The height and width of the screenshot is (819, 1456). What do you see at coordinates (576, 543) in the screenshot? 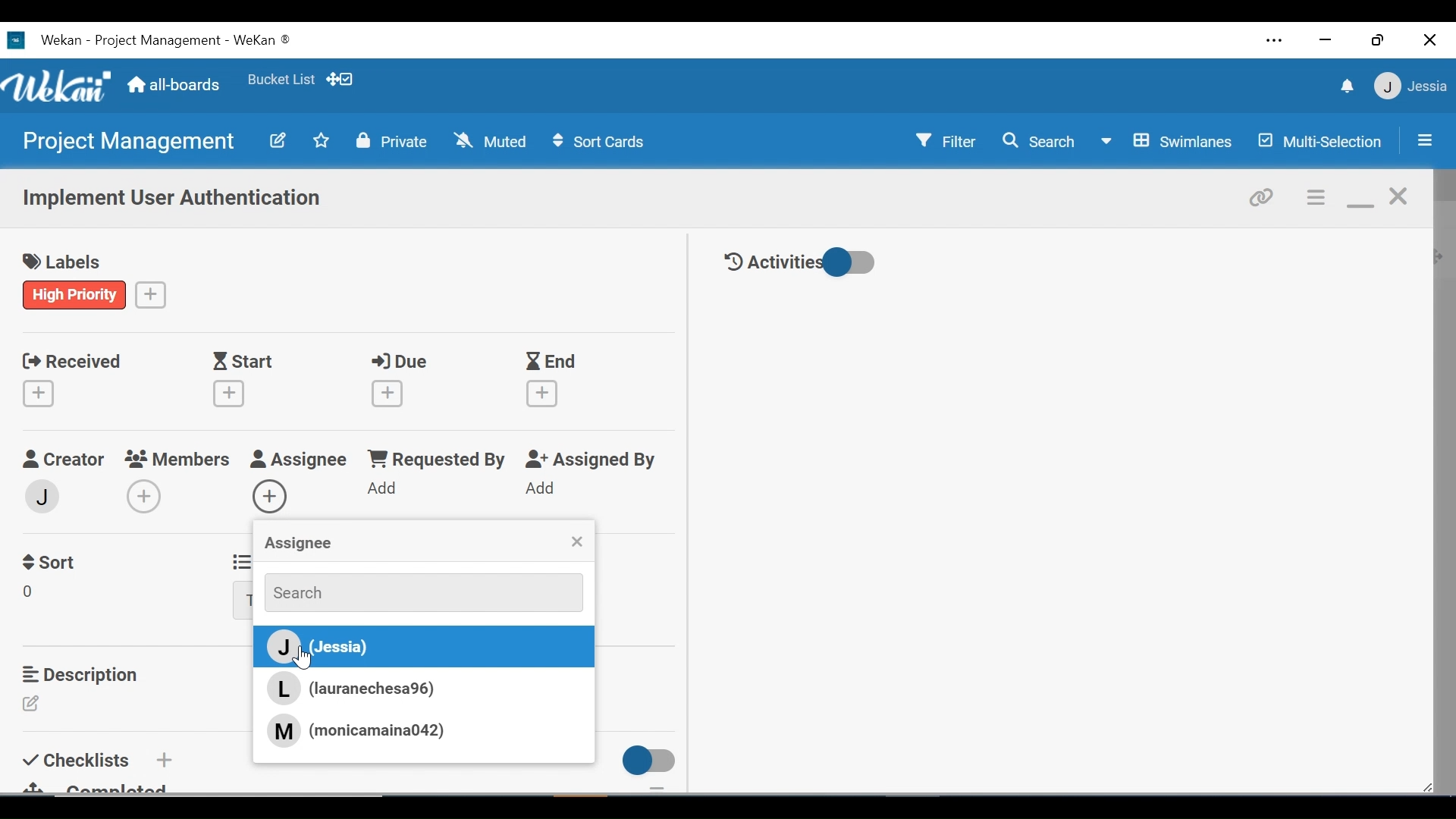
I see `Close` at bounding box center [576, 543].